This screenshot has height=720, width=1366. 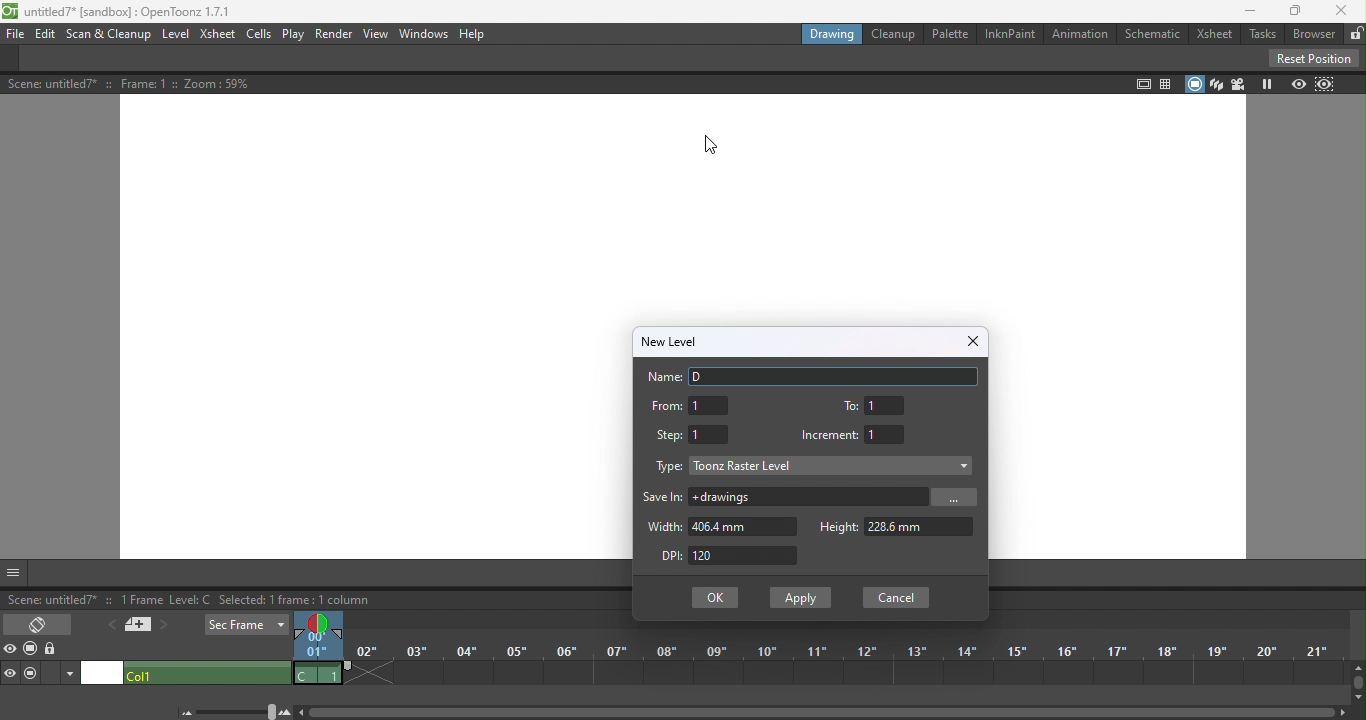 What do you see at coordinates (40, 622) in the screenshot?
I see `Toggle Xsheet/Timeline` at bounding box center [40, 622].